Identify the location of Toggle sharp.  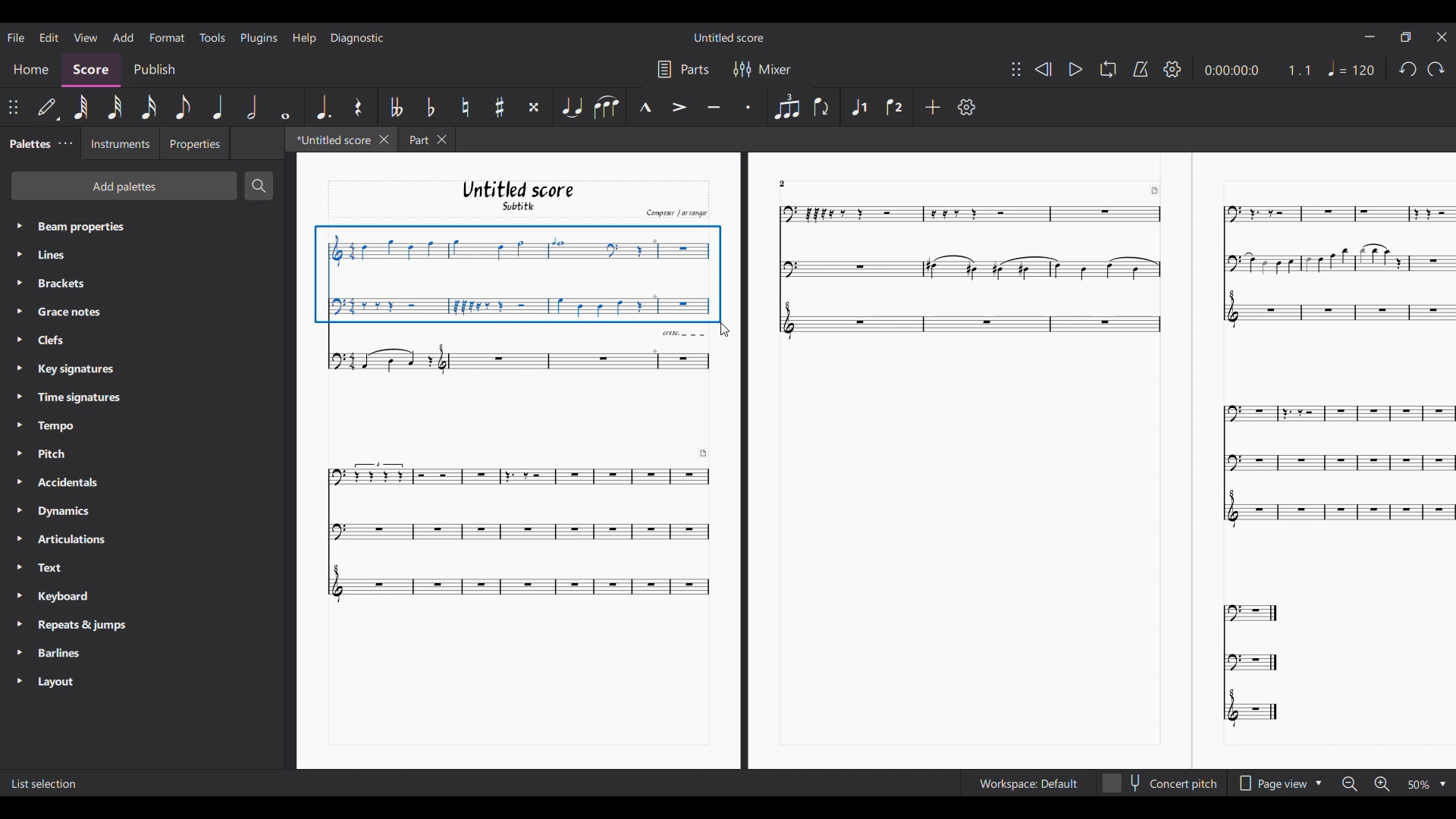
(500, 107).